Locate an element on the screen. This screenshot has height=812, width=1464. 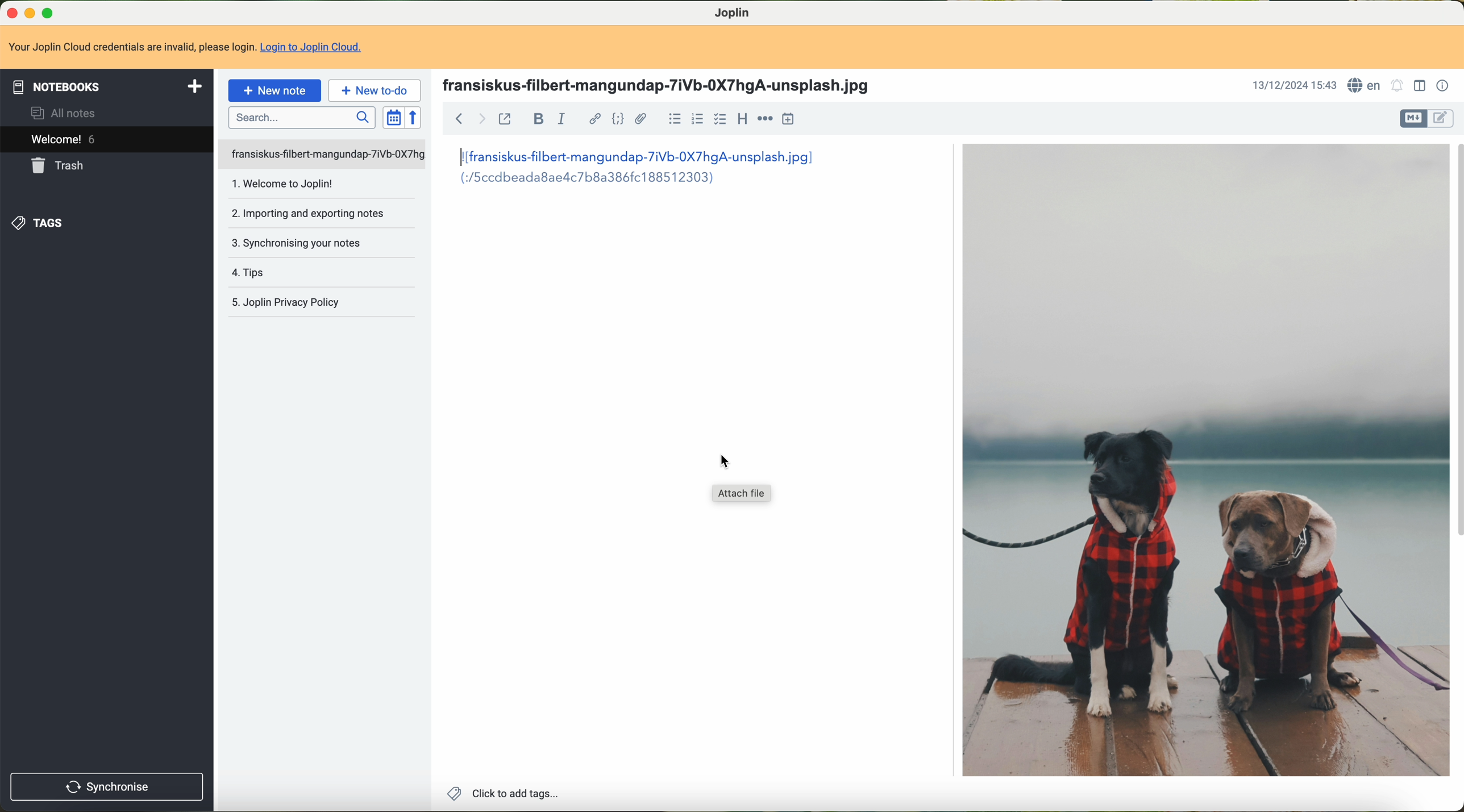
scroll bar is located at coordinates (1455, 338).